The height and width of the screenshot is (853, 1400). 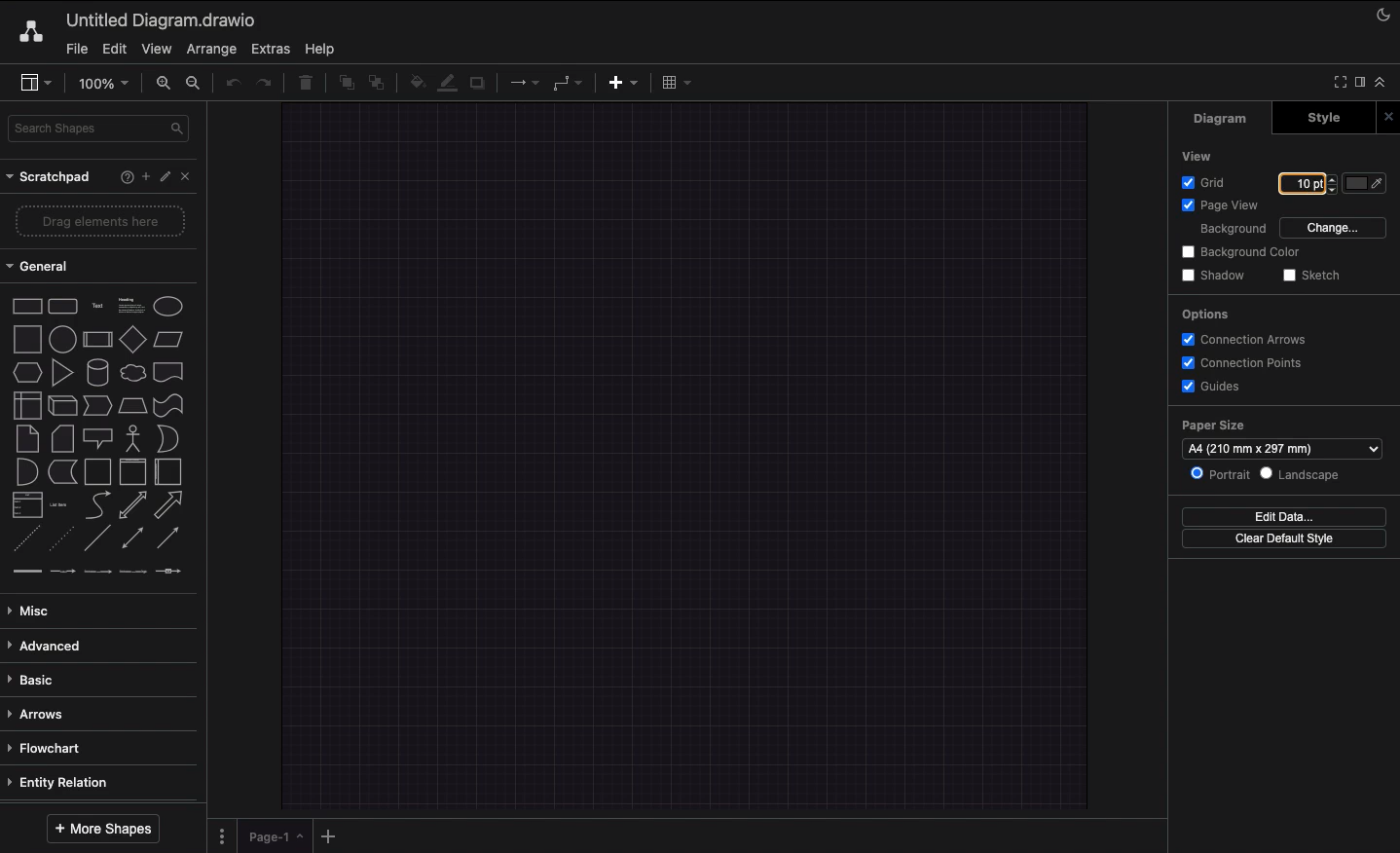 What do you see at coordinates (327, 834) in the screenshot?
I see `Add new page` at bounding box center [327, 834].